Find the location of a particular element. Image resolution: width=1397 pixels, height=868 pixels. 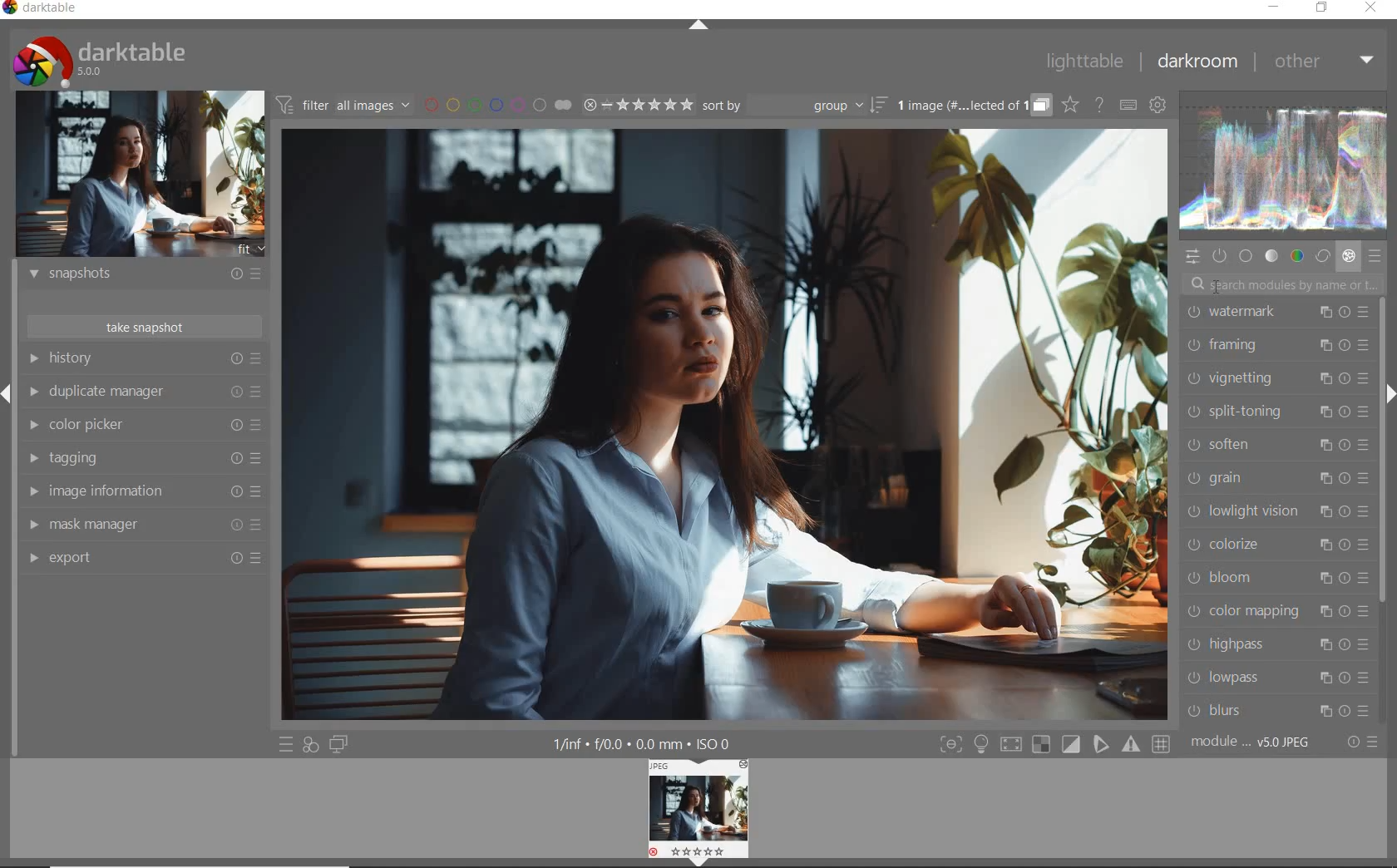

1/inf*f/0.0 mm*ISO 0 is located at coordinates (644, 743).